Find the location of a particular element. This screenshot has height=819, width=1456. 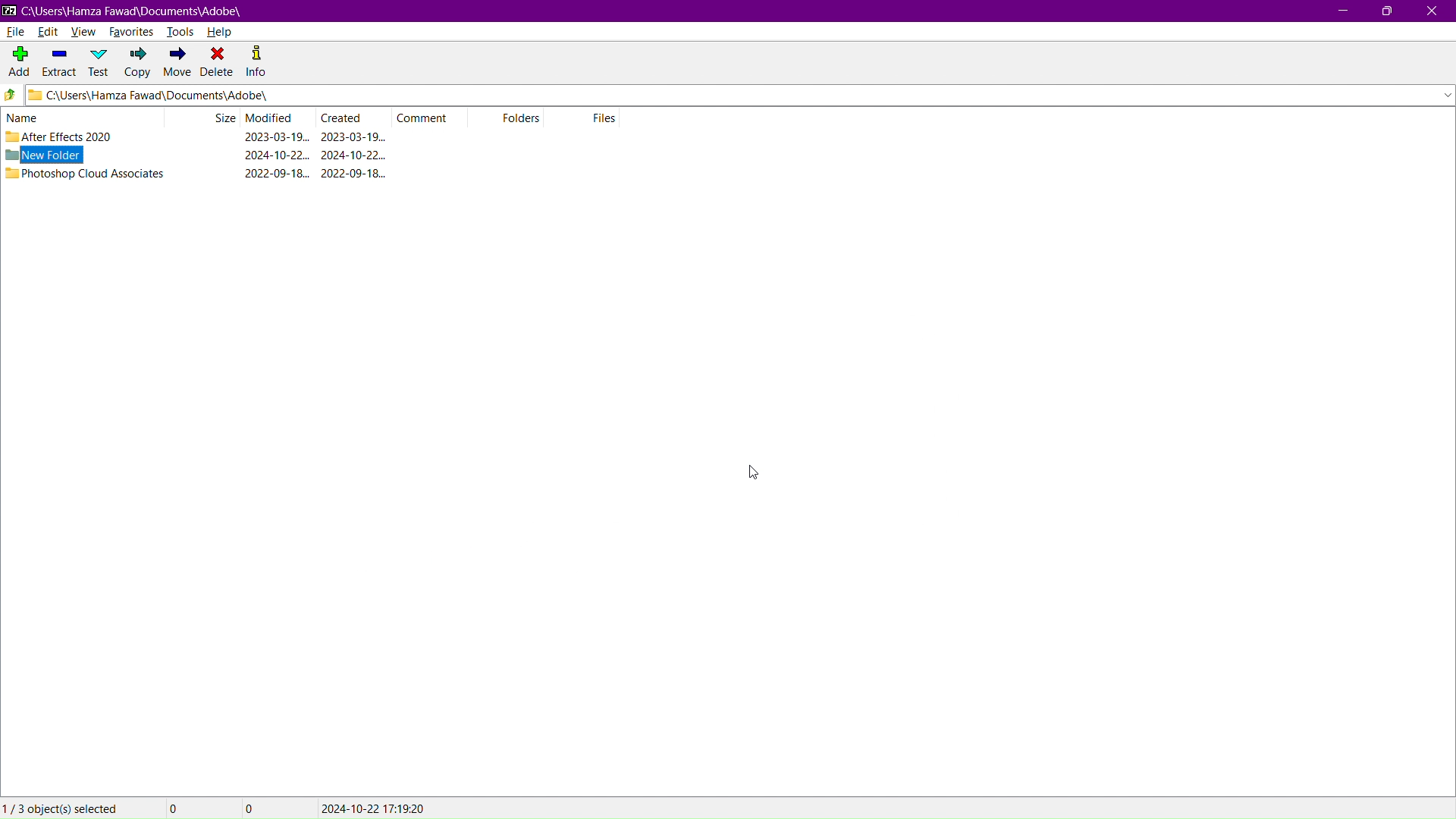

Address Bar is located at coordinates (739, 96).